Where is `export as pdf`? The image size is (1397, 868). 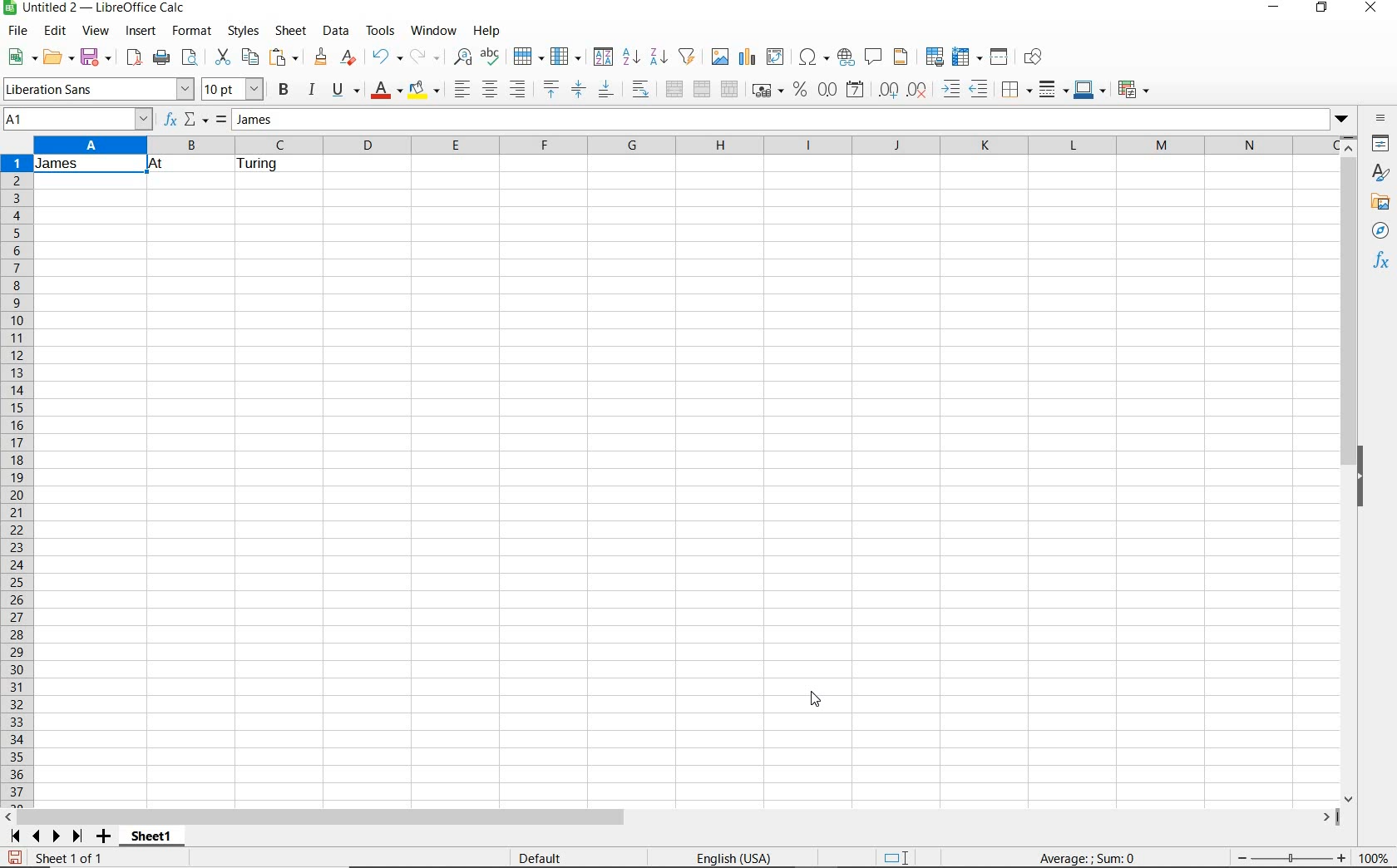
export as pdf is located at coordinates (132, 57).